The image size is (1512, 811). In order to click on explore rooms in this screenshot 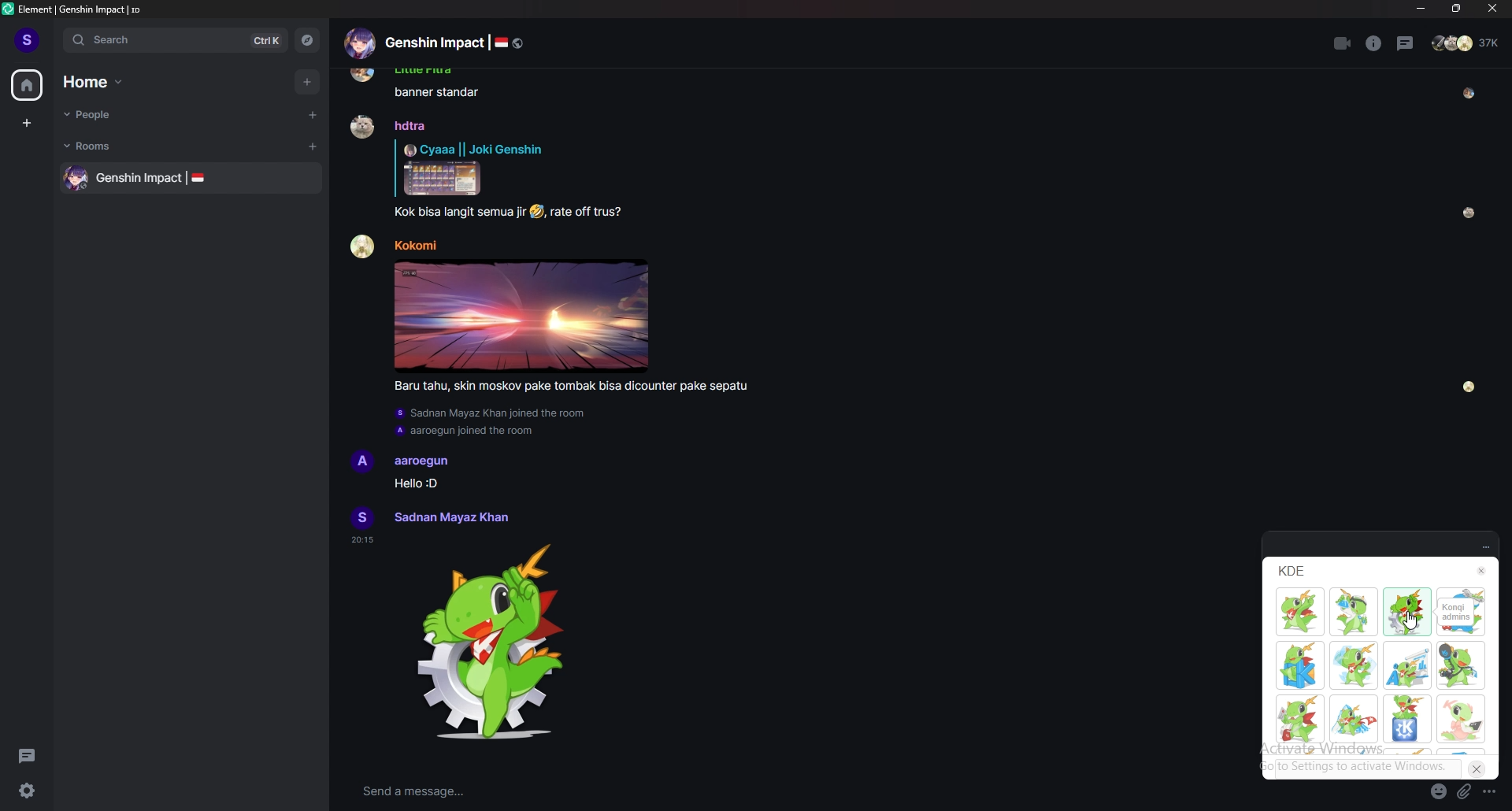, I will do `click(306, 40)`.